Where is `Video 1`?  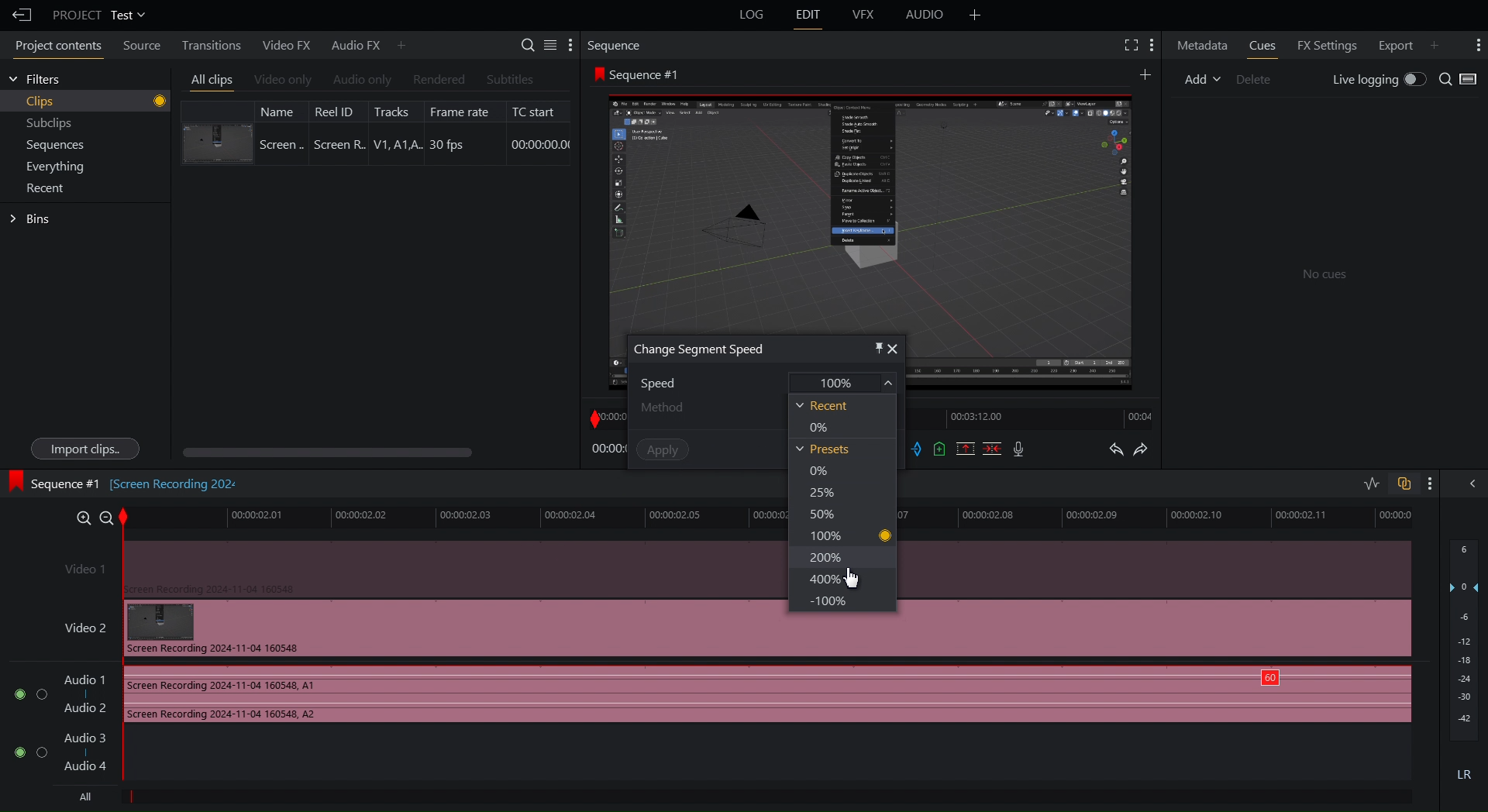
Video 1 is located at coordinates (418, 567).